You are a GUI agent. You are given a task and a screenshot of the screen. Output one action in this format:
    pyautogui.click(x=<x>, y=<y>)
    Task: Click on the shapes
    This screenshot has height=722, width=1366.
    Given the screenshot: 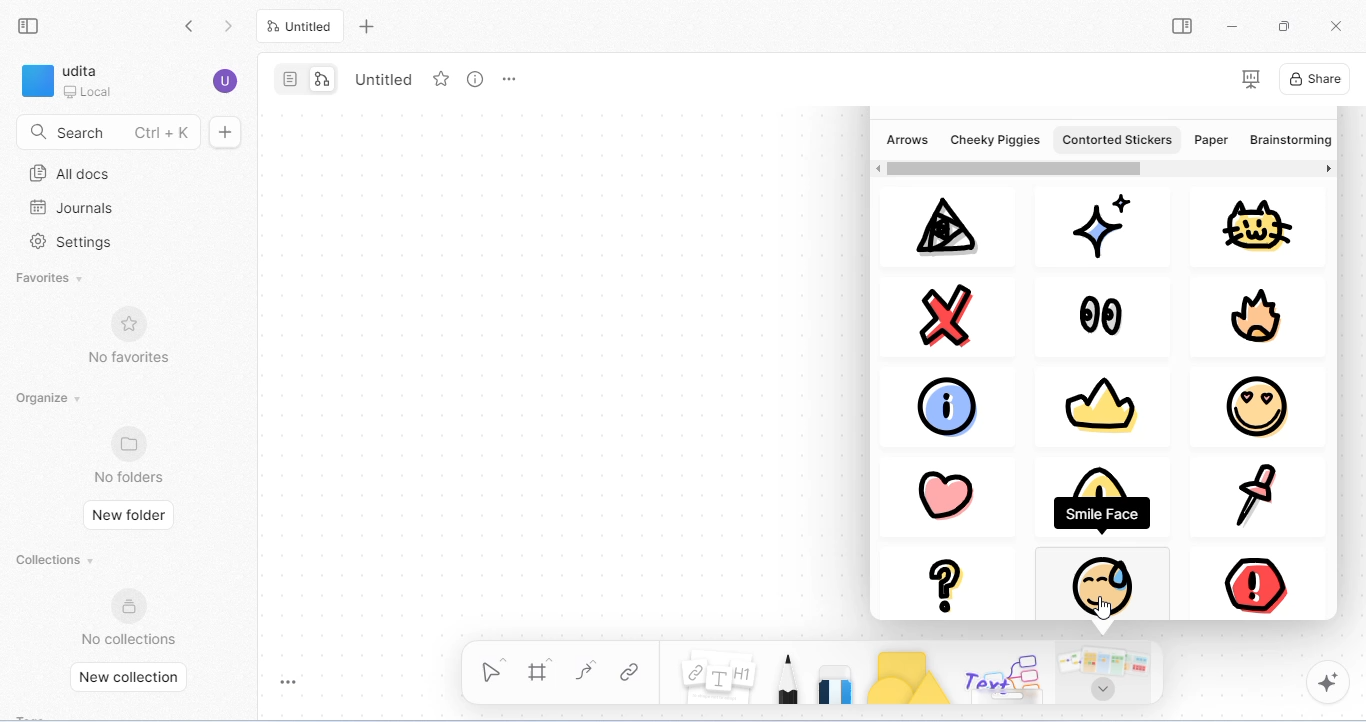 What is the action you would take?
    pyautogui.click(x=908, y=677)
    